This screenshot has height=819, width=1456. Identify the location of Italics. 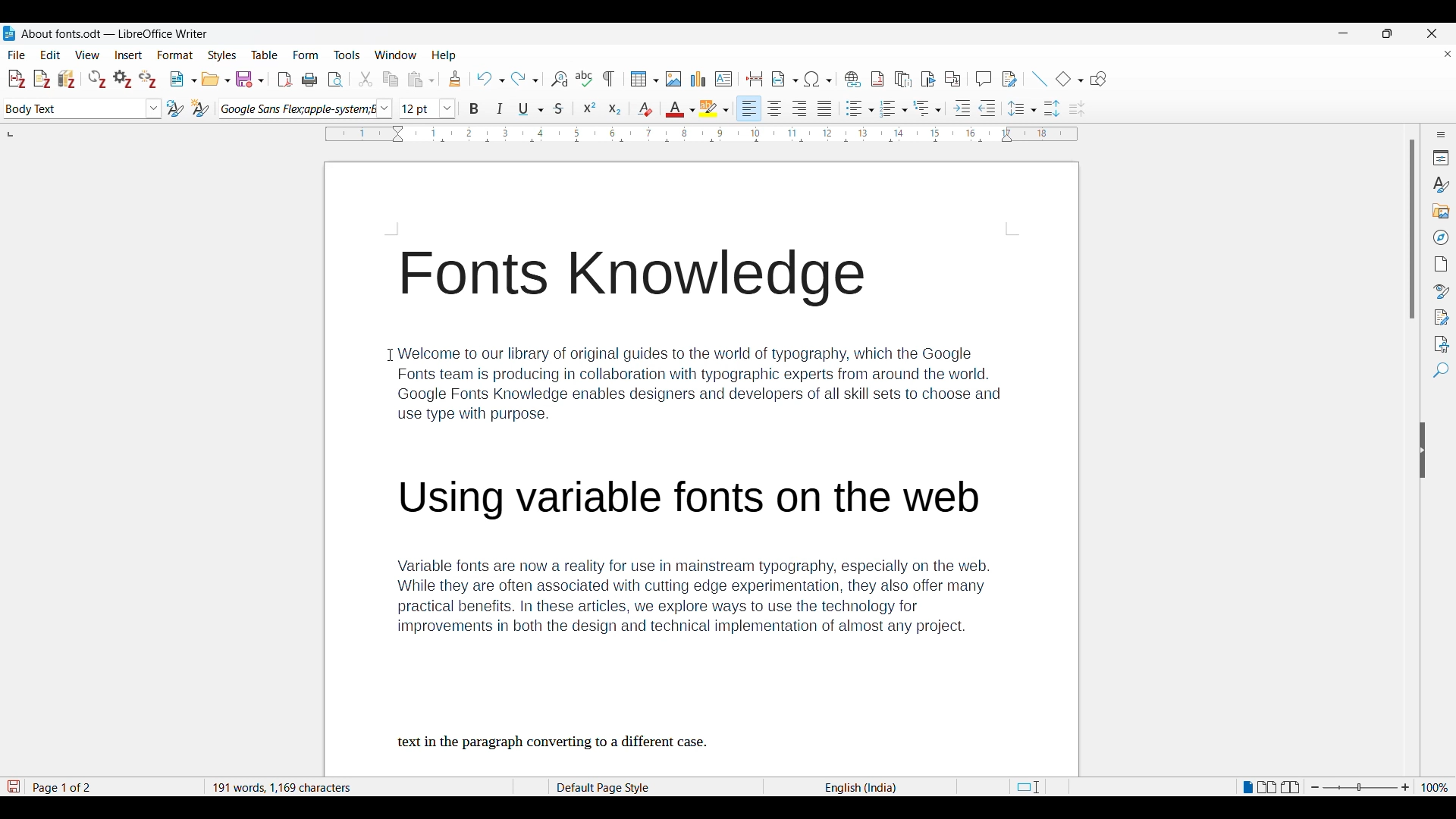
(500, 108).